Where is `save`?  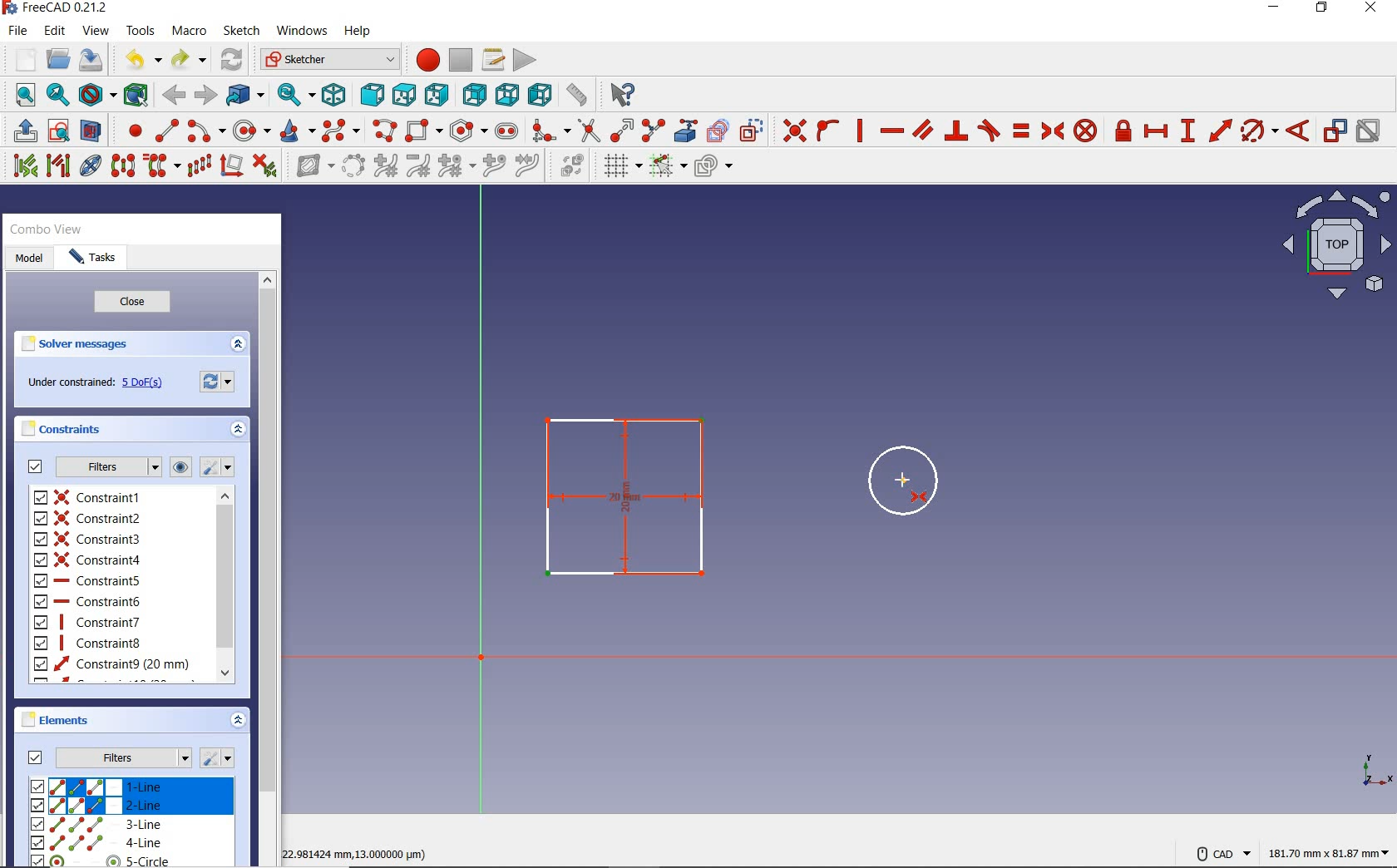 save is located at coordinates (93, 60).